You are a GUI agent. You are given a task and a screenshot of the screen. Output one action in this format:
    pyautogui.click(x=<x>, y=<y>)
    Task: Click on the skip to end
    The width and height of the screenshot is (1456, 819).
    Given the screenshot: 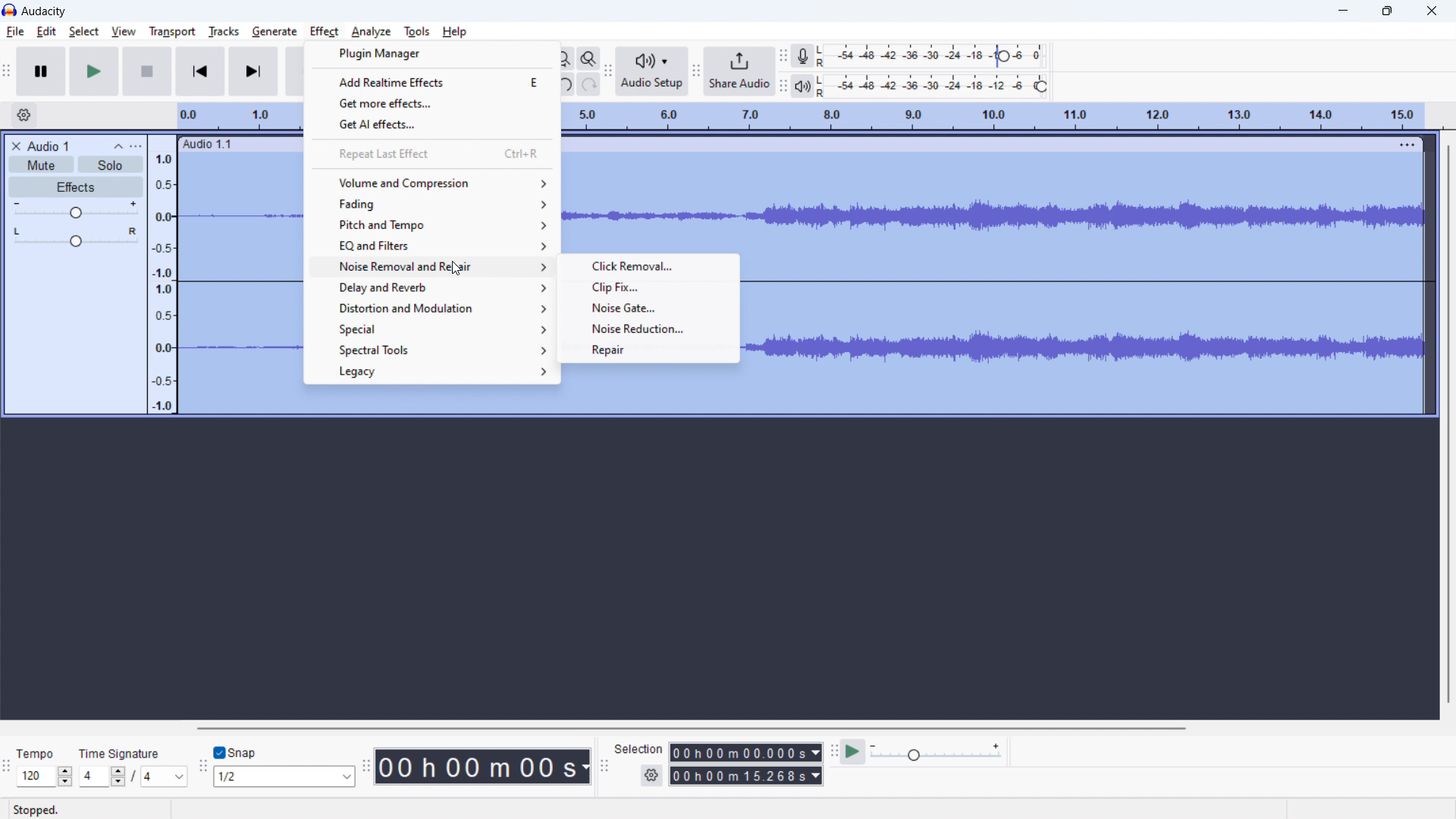 What is the action you would take?
    pyautogui.click(x=253, y=71)
    